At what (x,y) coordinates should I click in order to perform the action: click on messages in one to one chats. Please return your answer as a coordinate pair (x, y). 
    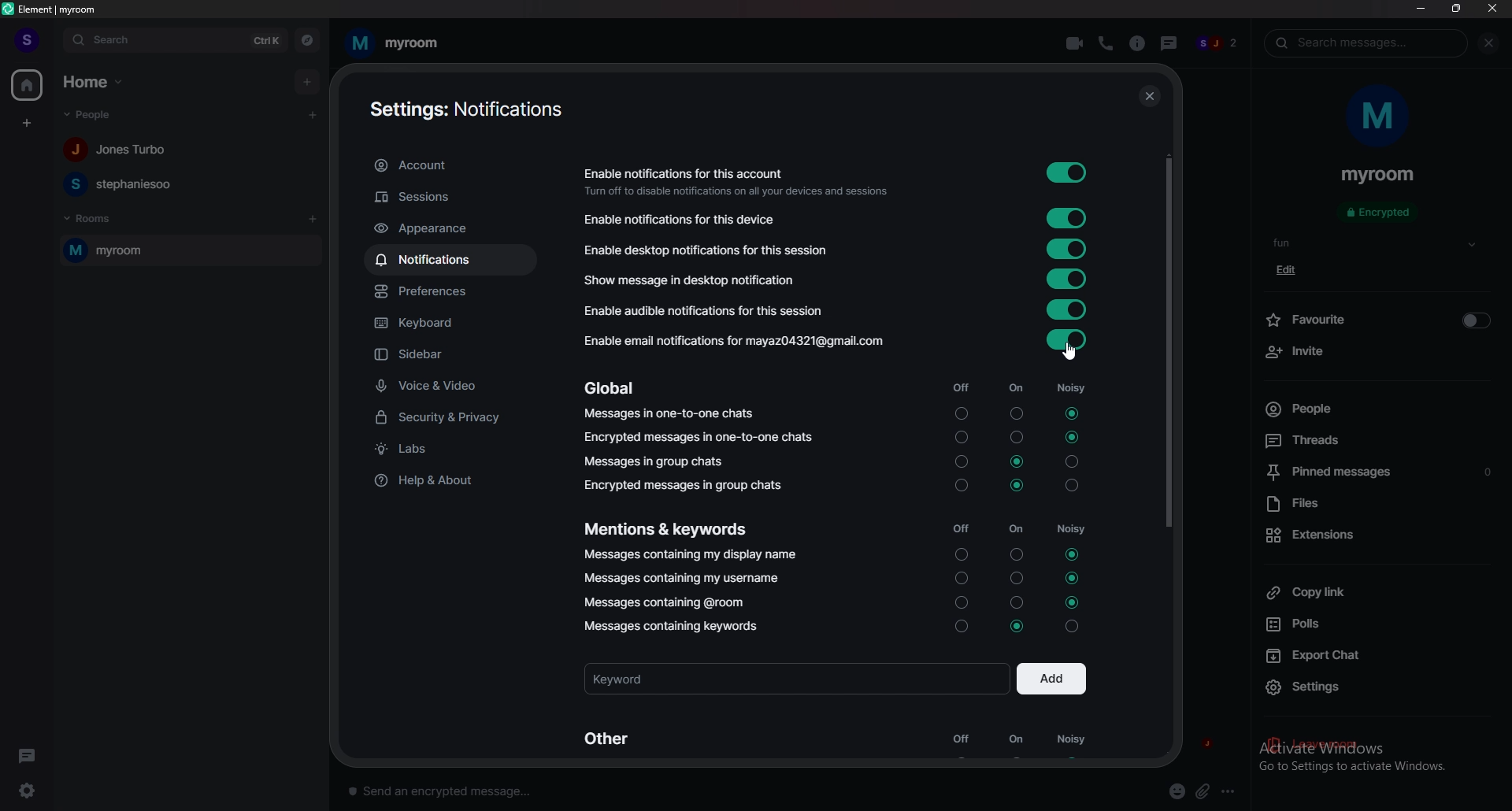
    Looking at the image, I should click on (670, 412).